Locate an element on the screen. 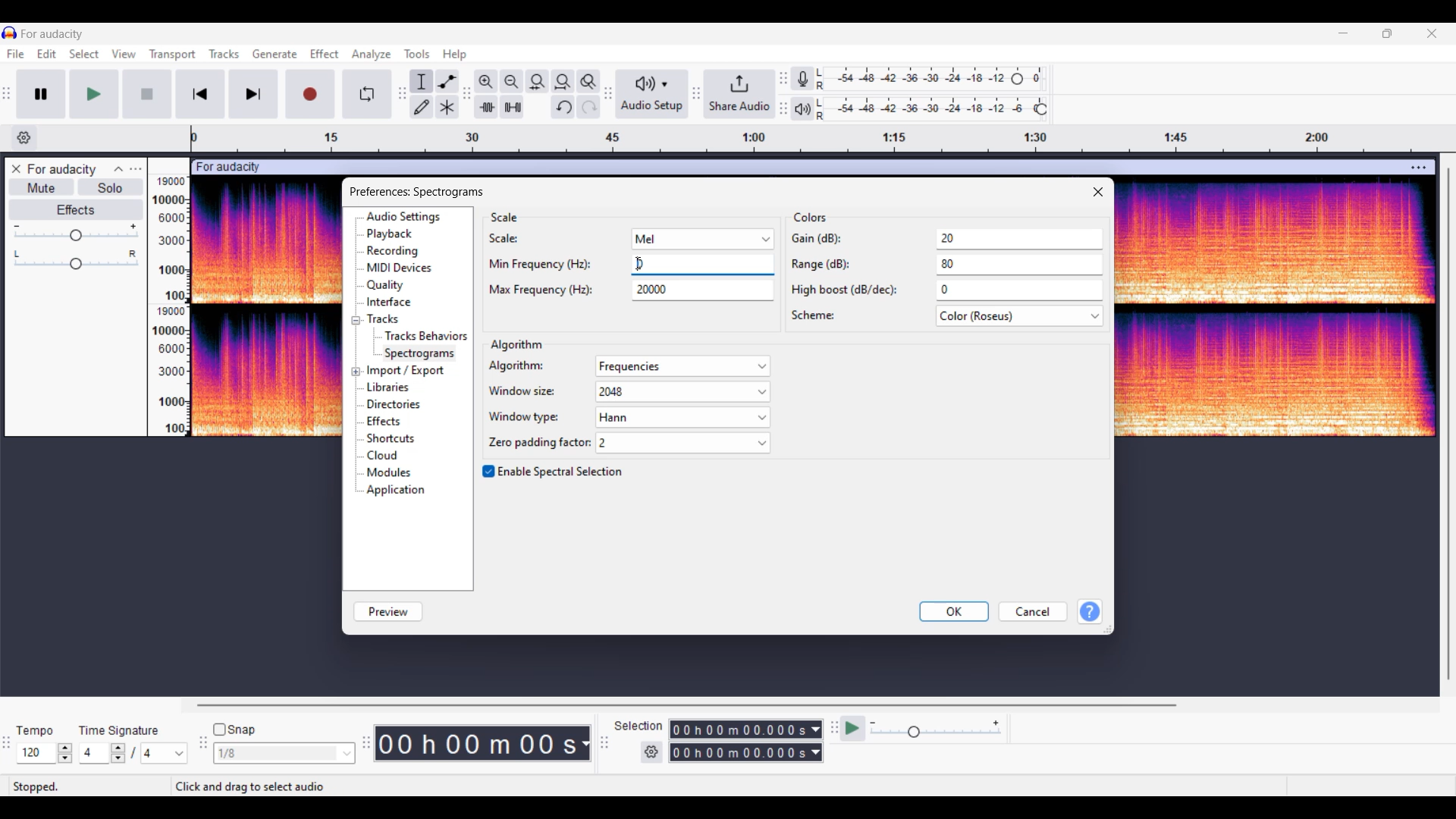 Image resolution: width=1456 pixels, height=819 pixels. Indicates selection duration is located at coordinates (639, 726).